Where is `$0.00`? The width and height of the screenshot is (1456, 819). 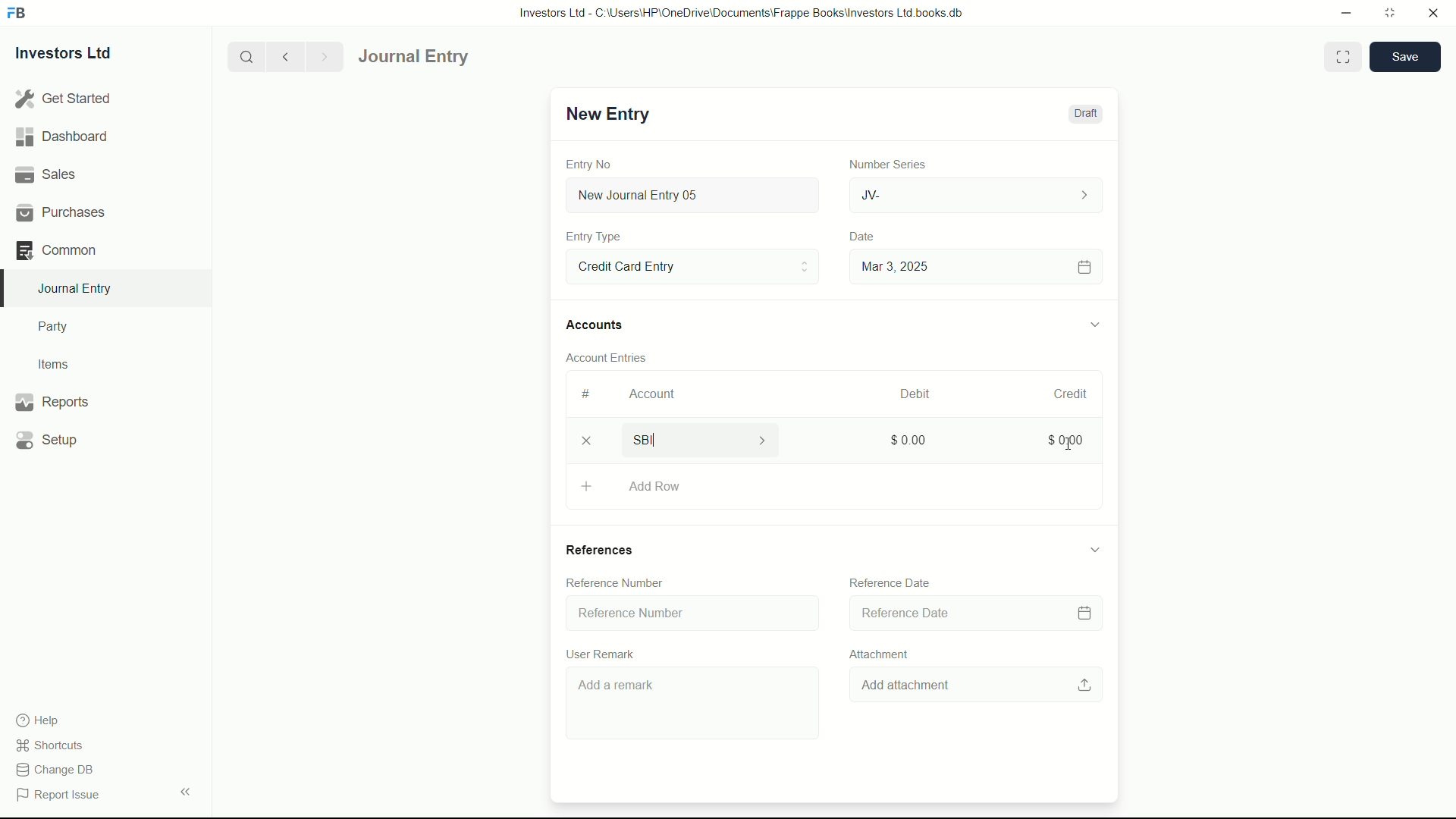 $0.00 is located at coordinates (905, 439).